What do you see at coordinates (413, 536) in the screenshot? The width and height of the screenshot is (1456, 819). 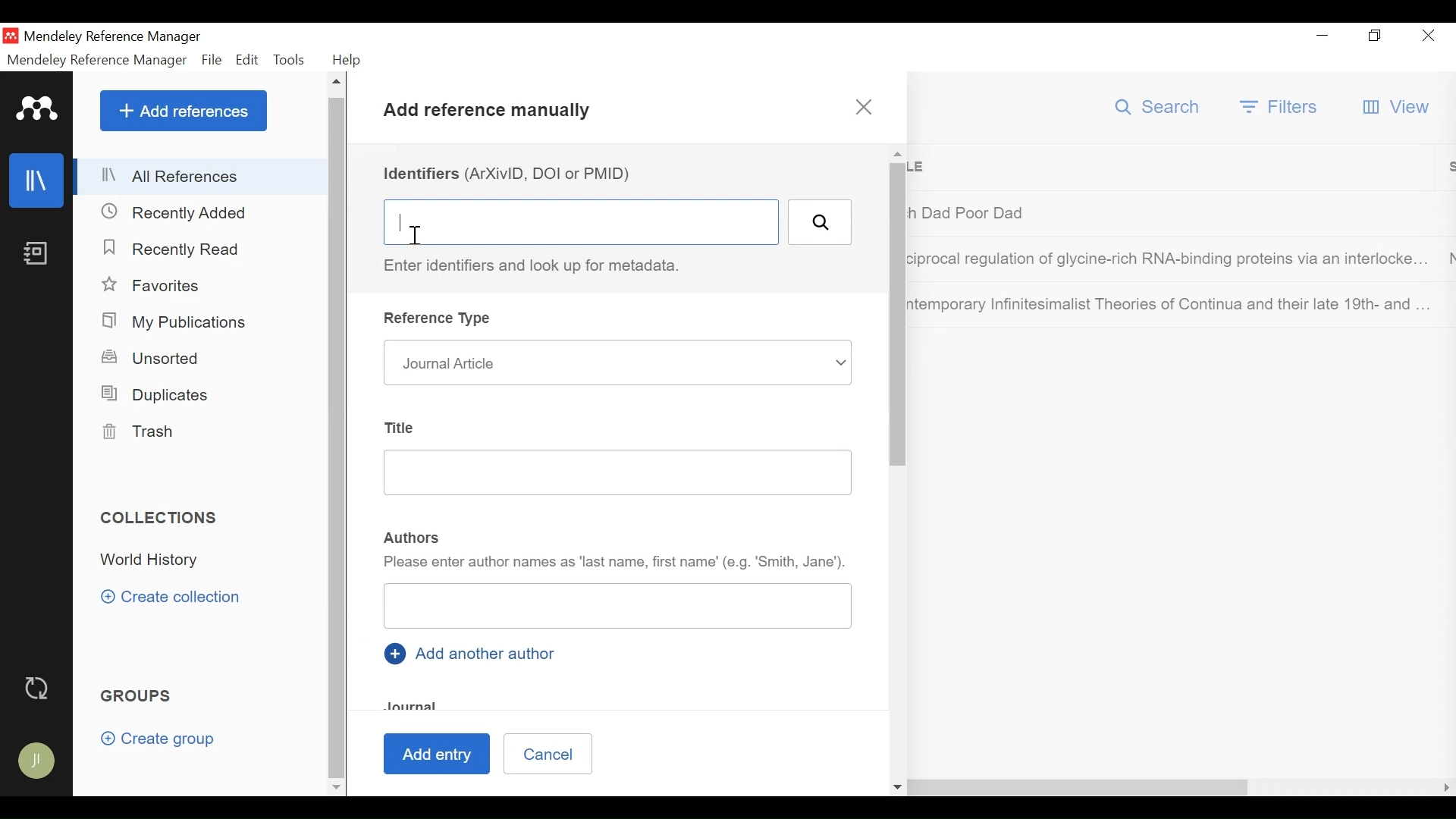 I see `Authors` at bounding box center [413, 536].